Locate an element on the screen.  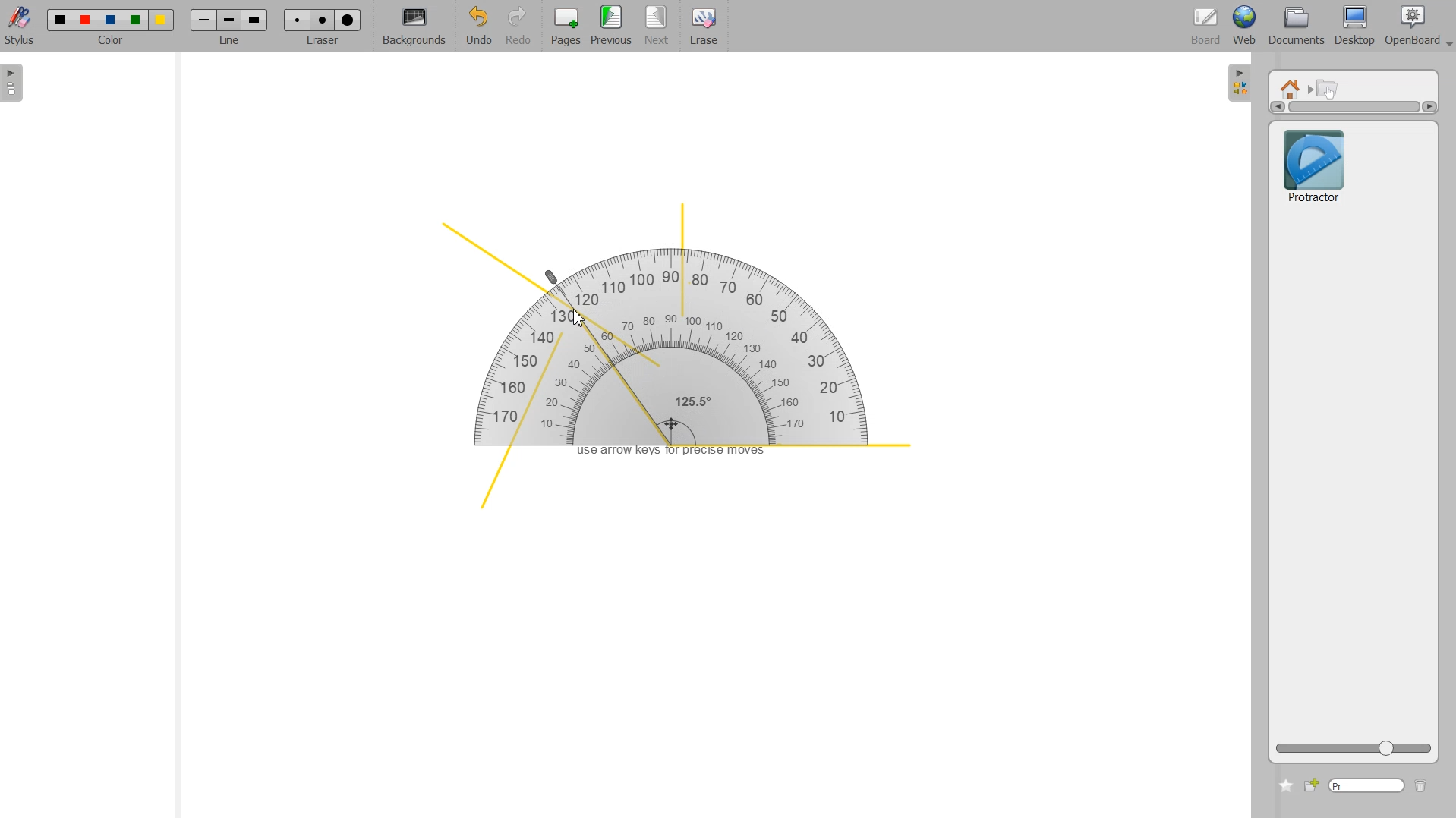
Board is located at coordinates (1206, 27).